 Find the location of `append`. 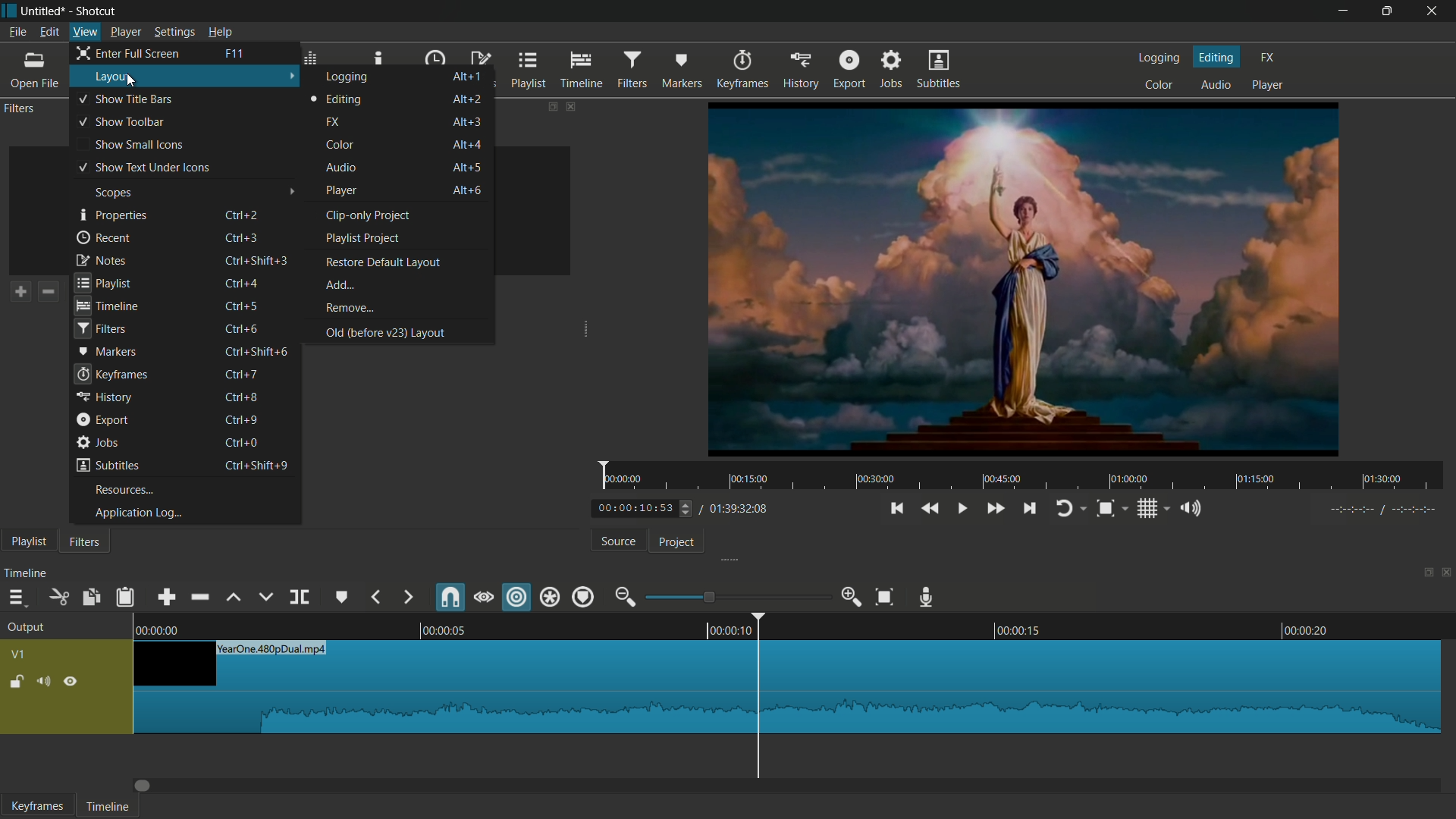

append is located at coordinates (165, 598).